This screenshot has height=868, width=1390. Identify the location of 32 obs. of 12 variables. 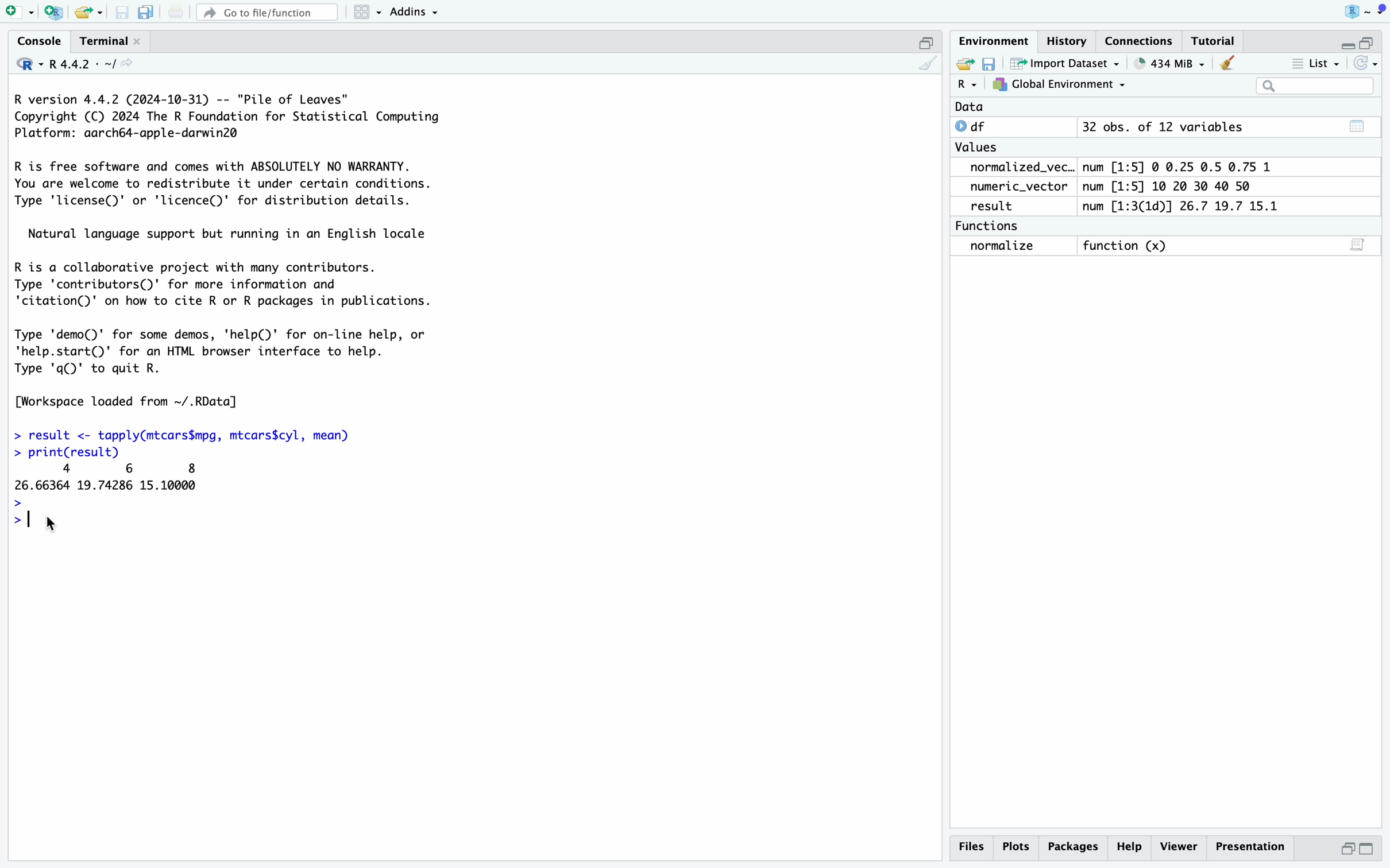
(1164, 127).